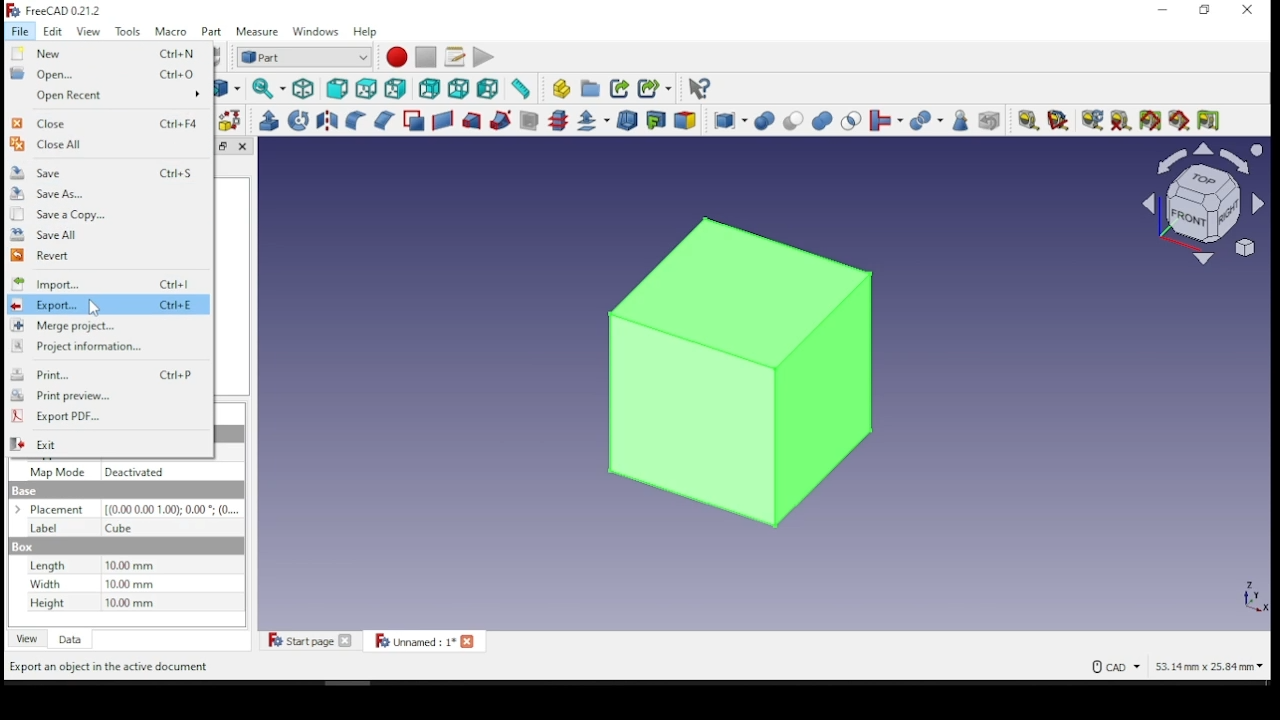  What do you see at coordinates (1058, 121) in the screenshot?
I see `measure angular` at bounding box center [1058, 121].